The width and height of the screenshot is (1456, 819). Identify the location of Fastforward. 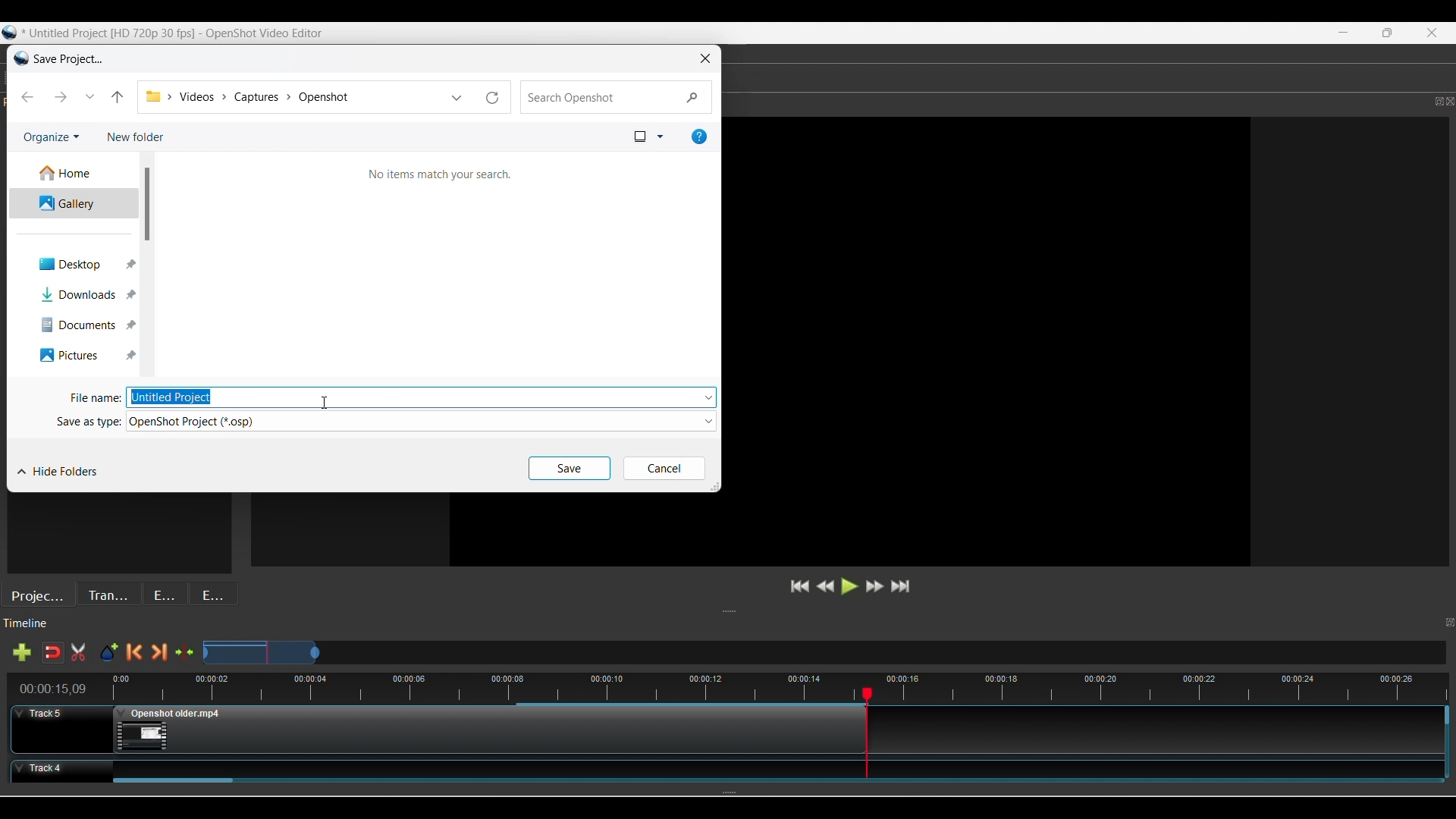
(875, 586).